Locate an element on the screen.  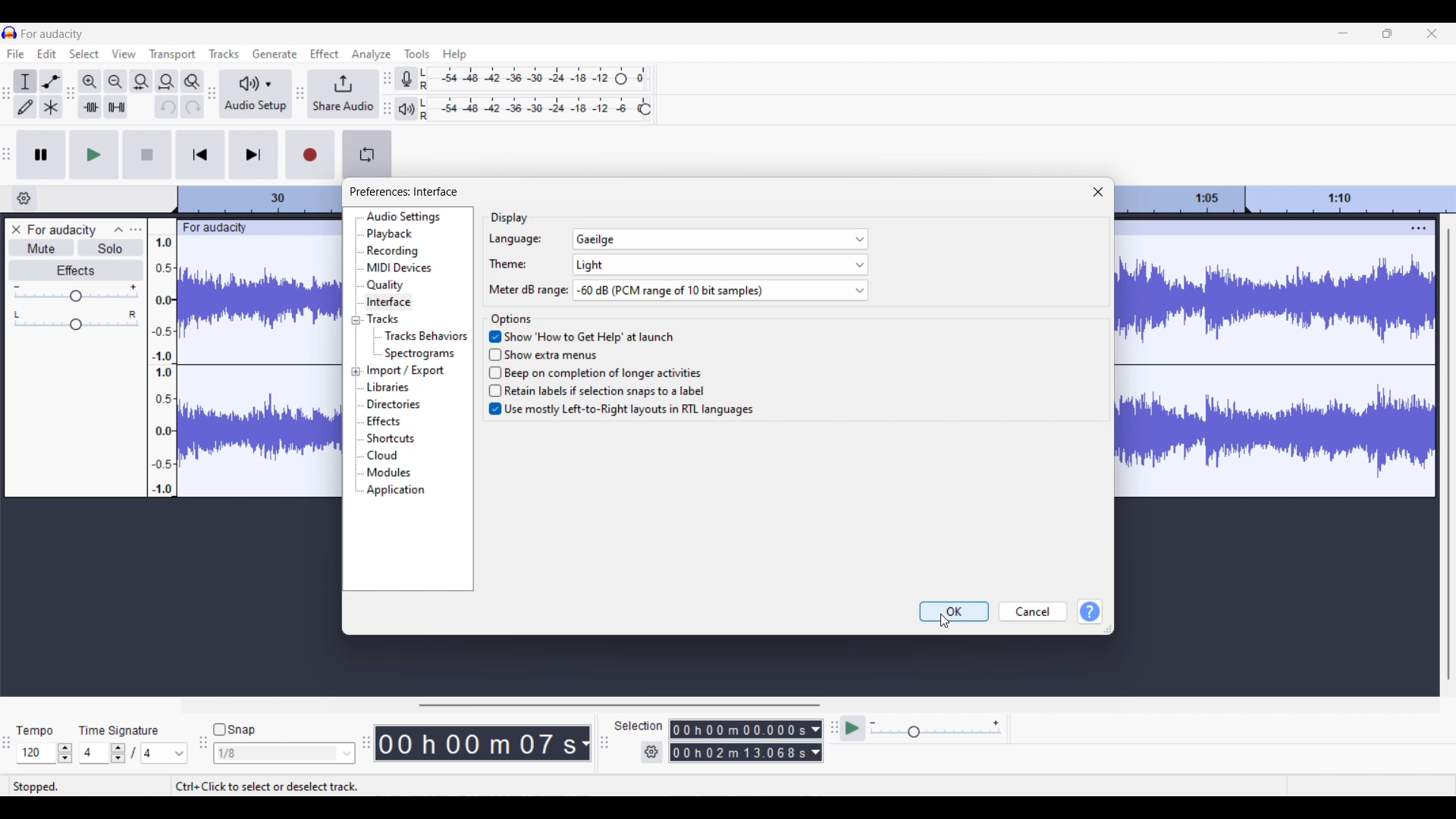
00 h 00 m 07 s is located at coordinates (476, 743).